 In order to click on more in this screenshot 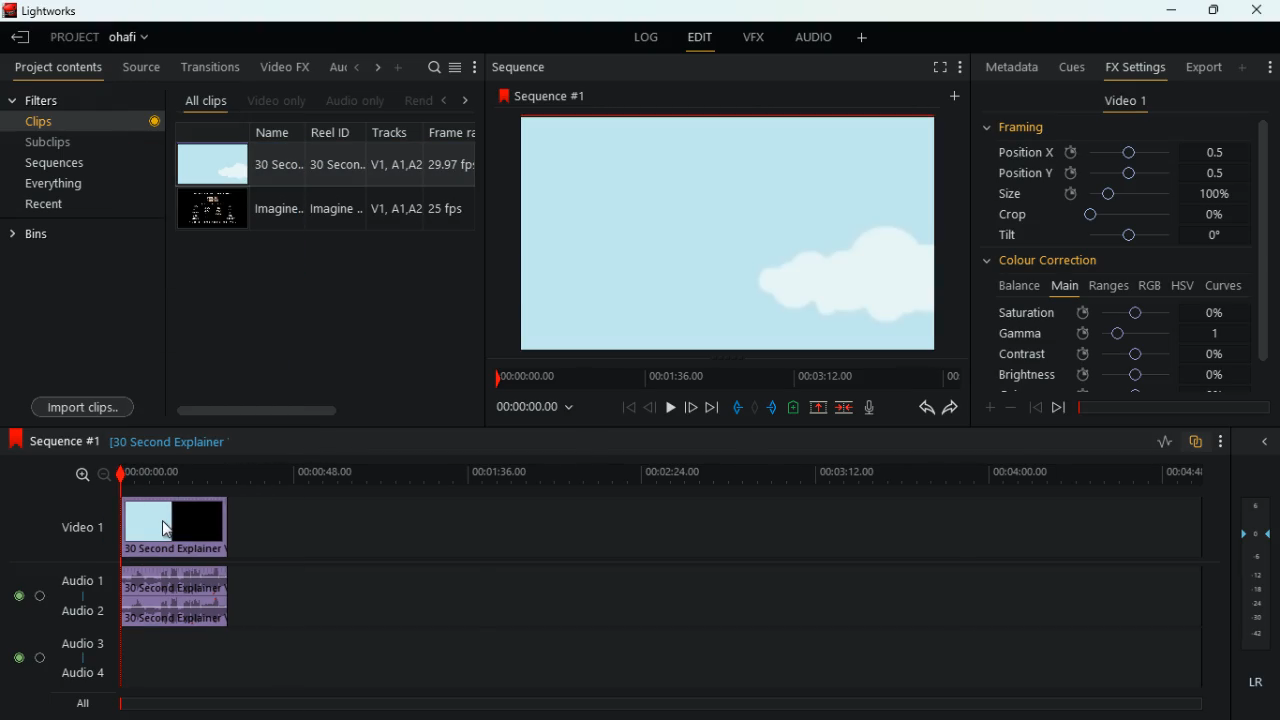, I will do `click(1222, 442)`.